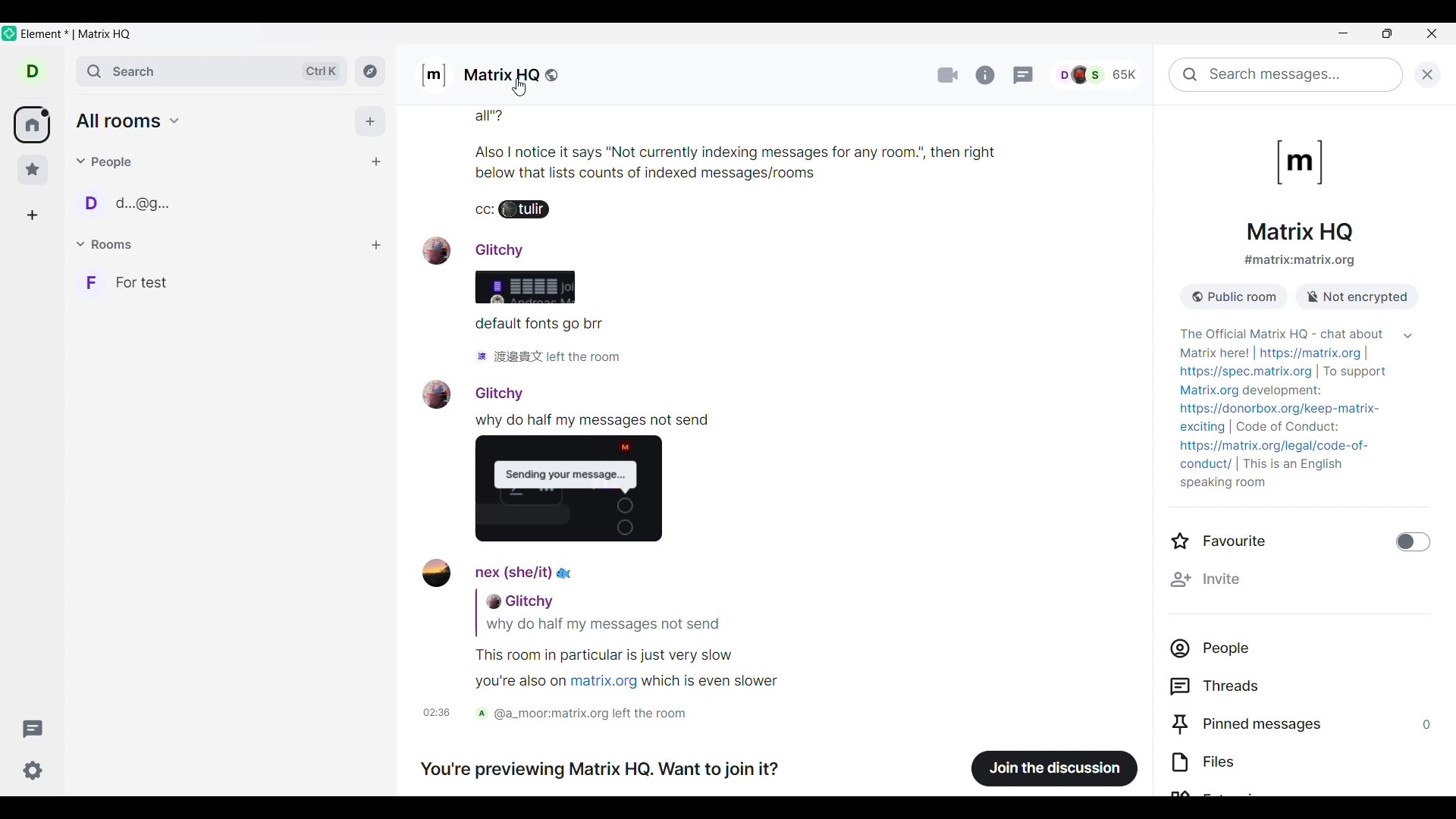  What do you see at coordinates (984, 75) in the screenshot?
I see `room information` at bounding box center [984, 75].